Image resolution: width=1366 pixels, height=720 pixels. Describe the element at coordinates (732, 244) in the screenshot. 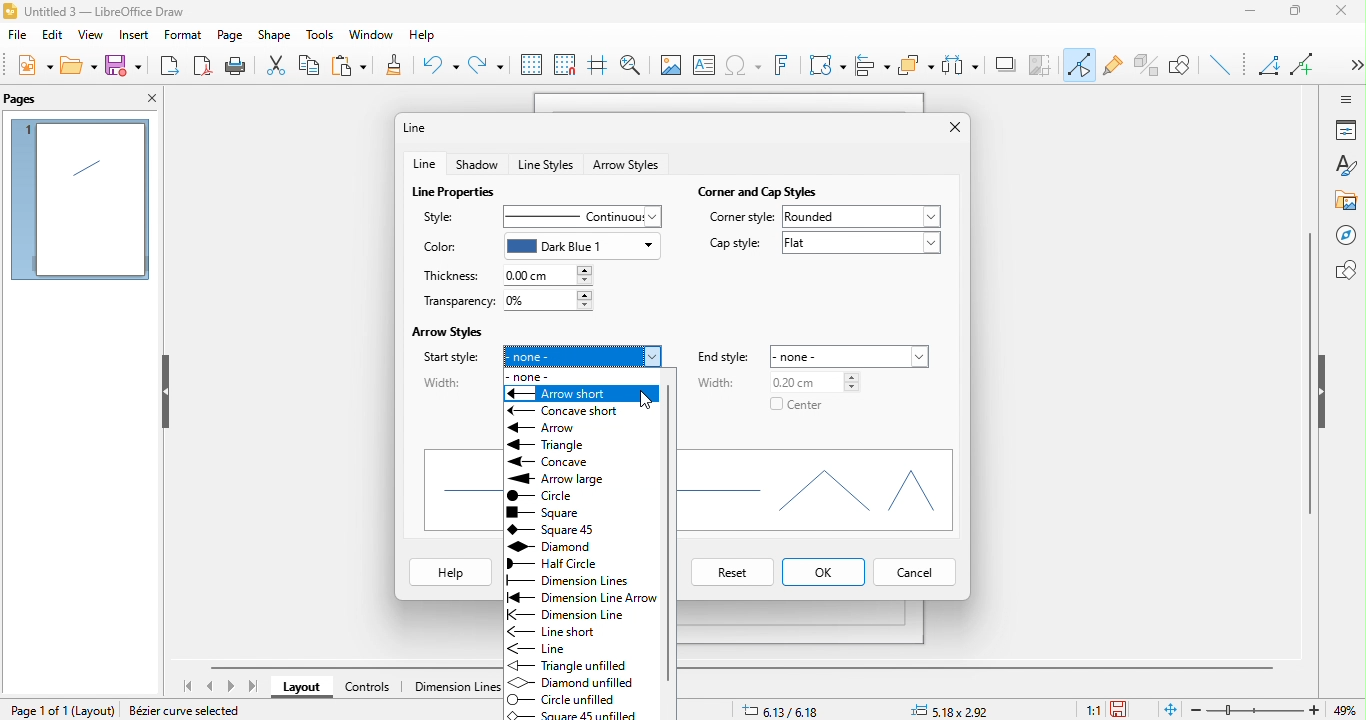

I see `cap style` at that location.